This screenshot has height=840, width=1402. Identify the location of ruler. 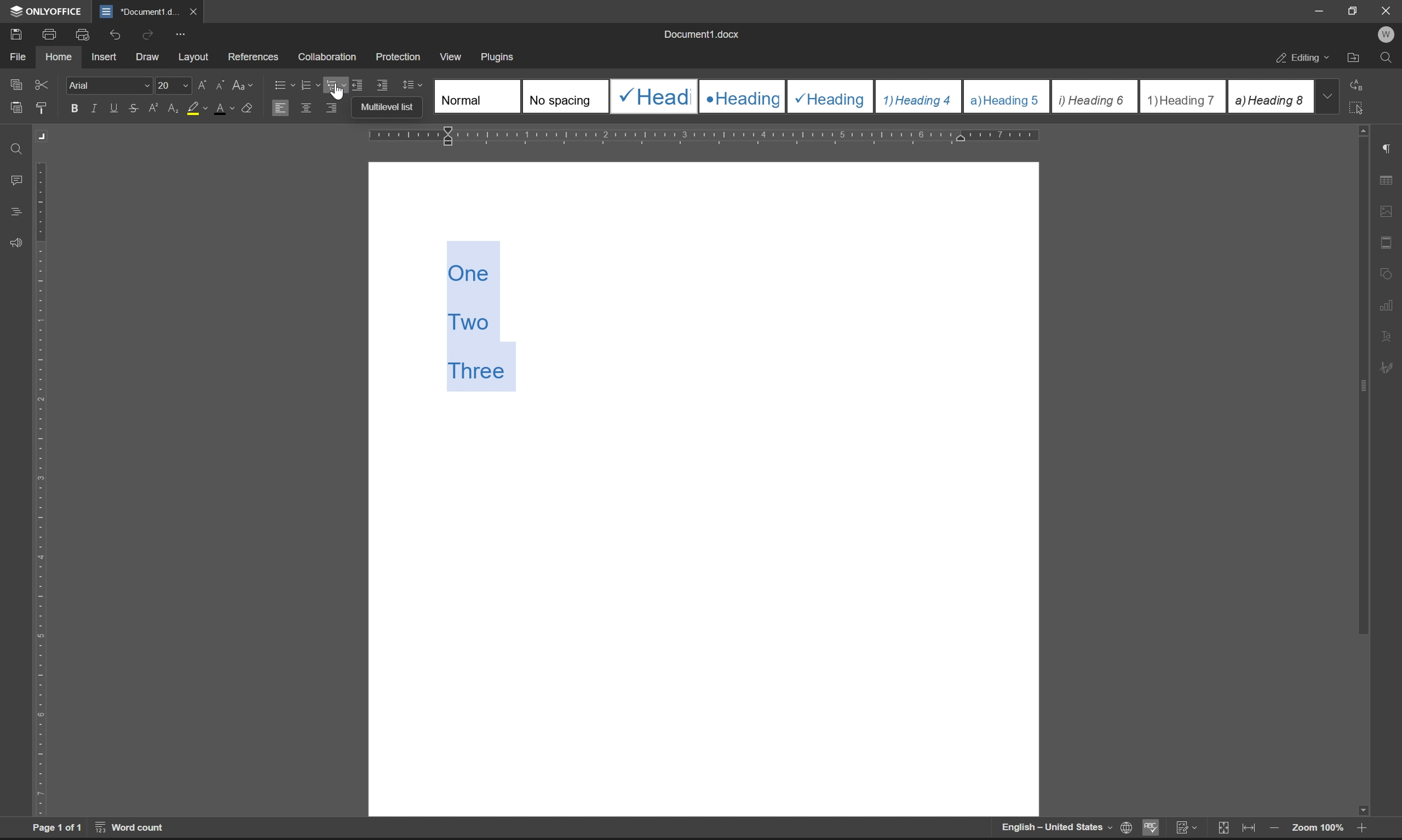
(41, 488).